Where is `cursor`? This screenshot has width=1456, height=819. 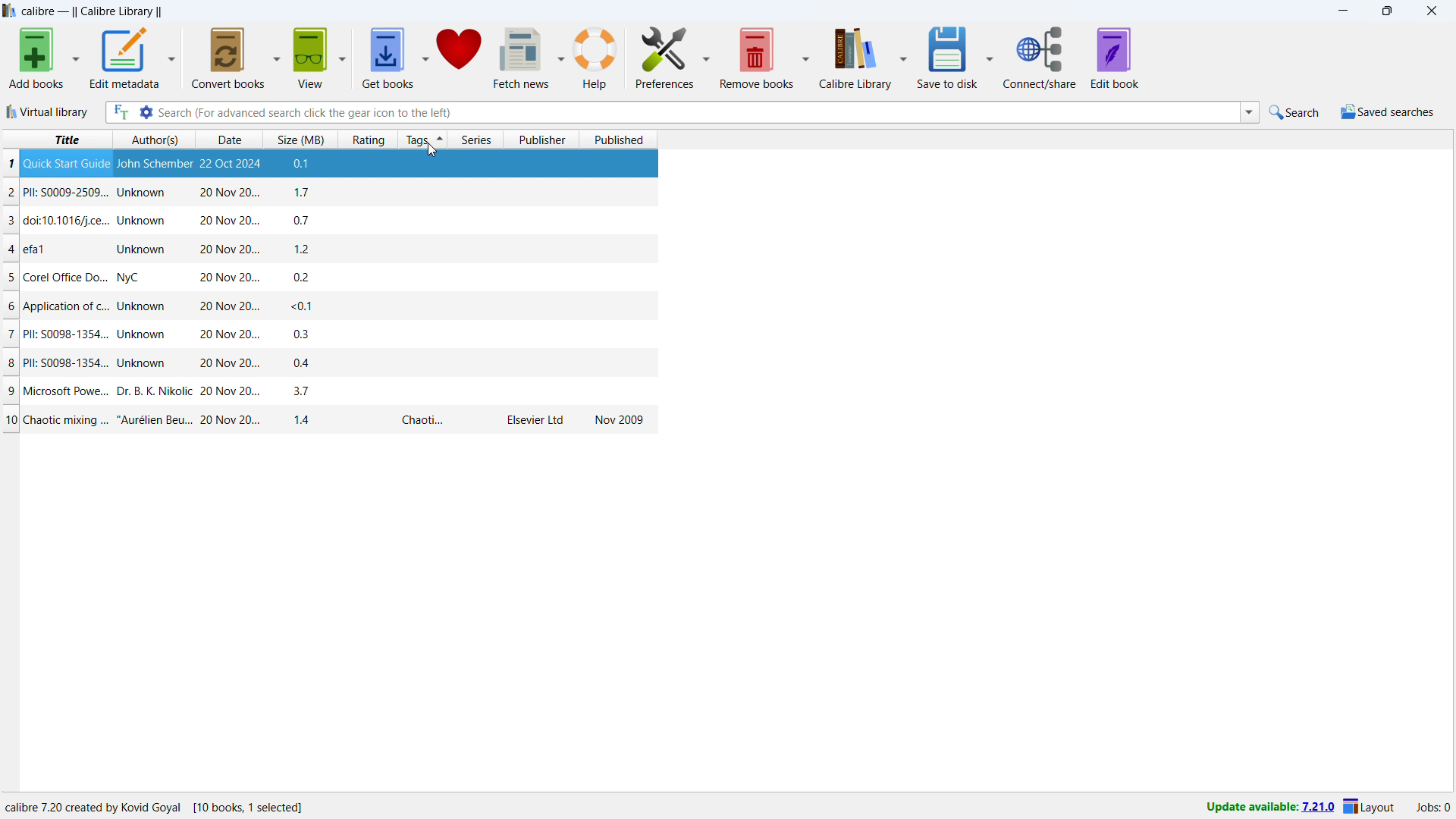 cursor is located at coordinates (432, 150).